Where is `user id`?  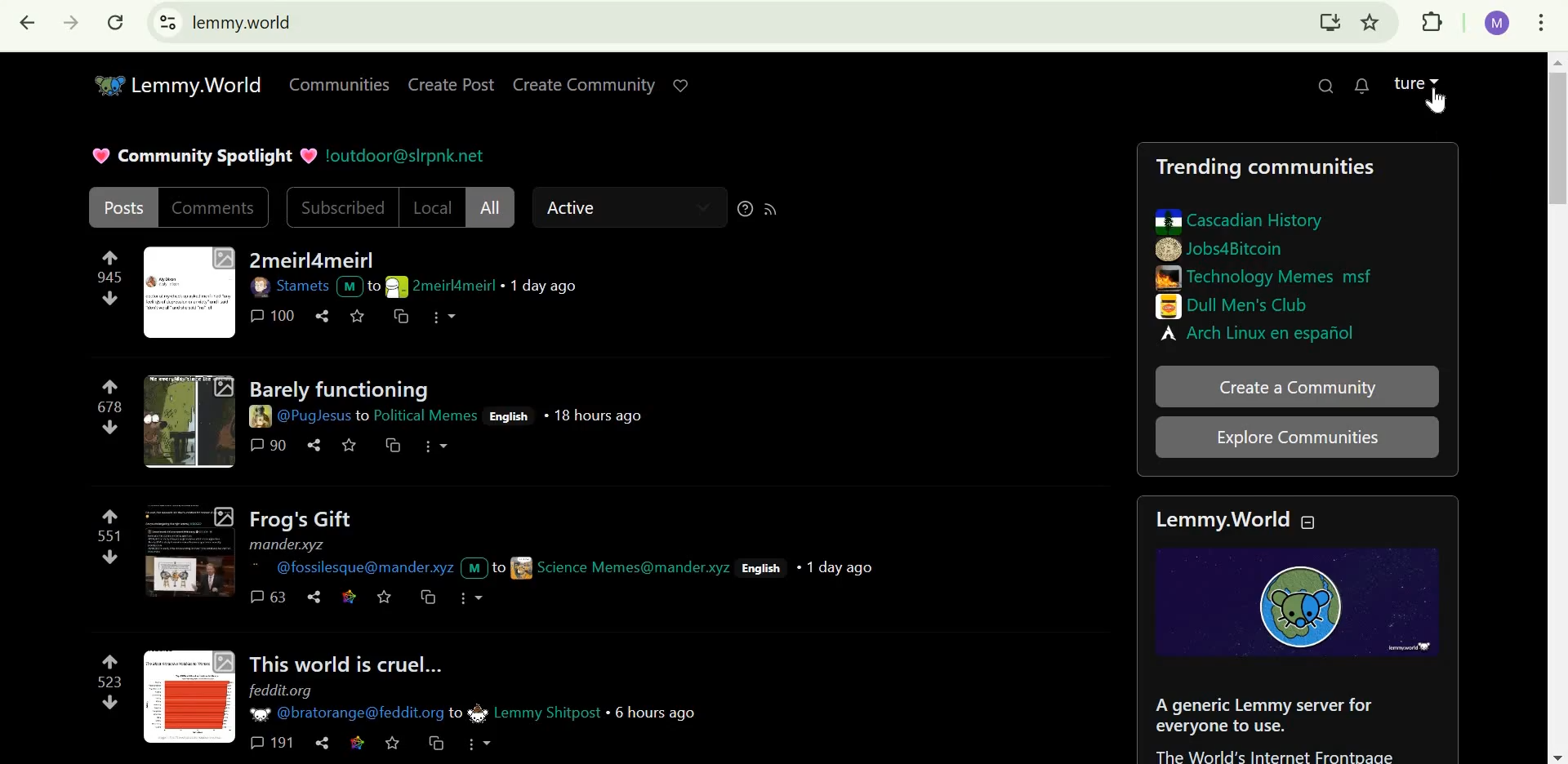
user id is located at coordinates (614, 567).